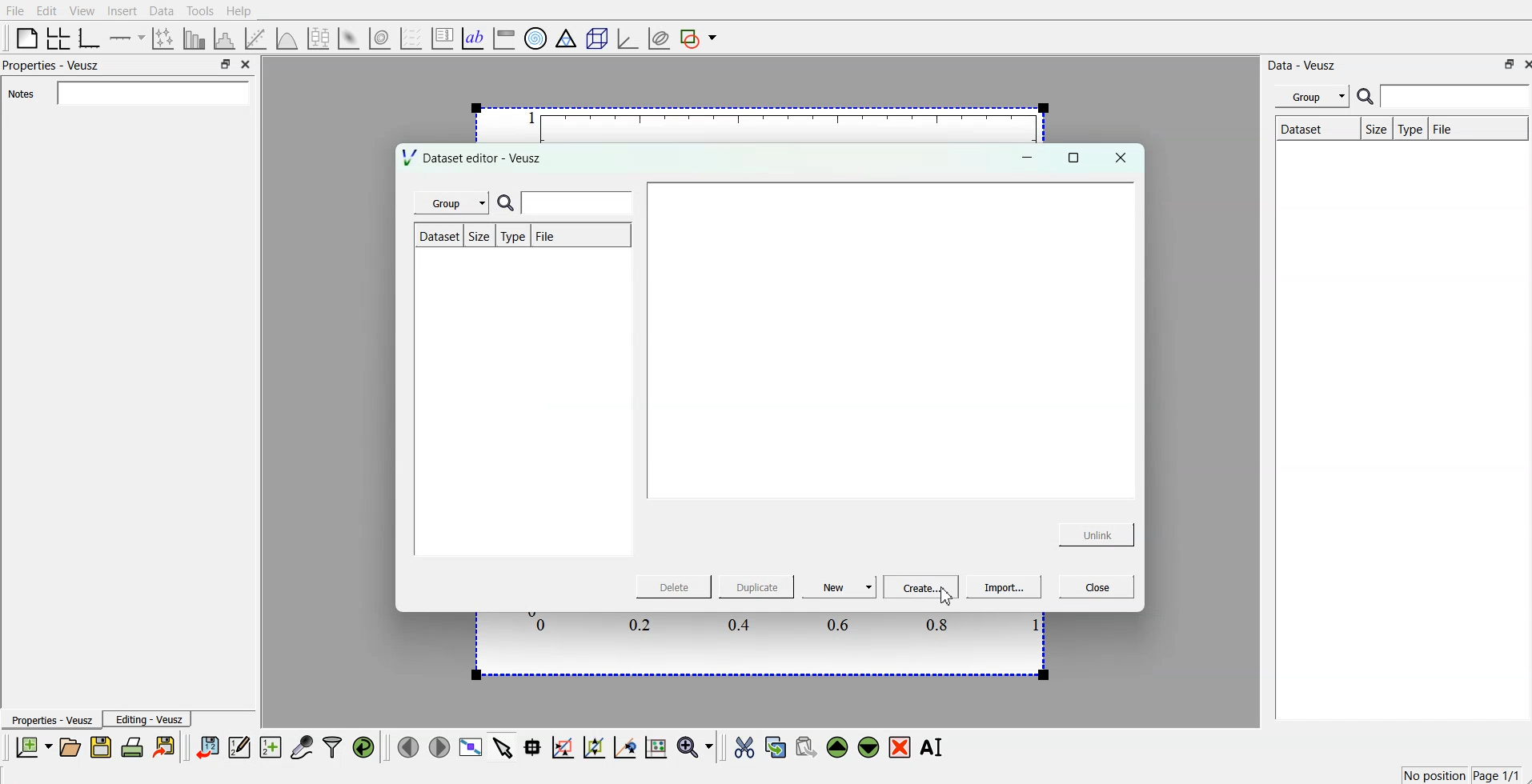 Image resolution: width=1532 pixels, height=784 pixels. What do you see at coordinates (839, 747) in the screenshot?
I see `move the selected widgets up` at bounding box center [839, 747].